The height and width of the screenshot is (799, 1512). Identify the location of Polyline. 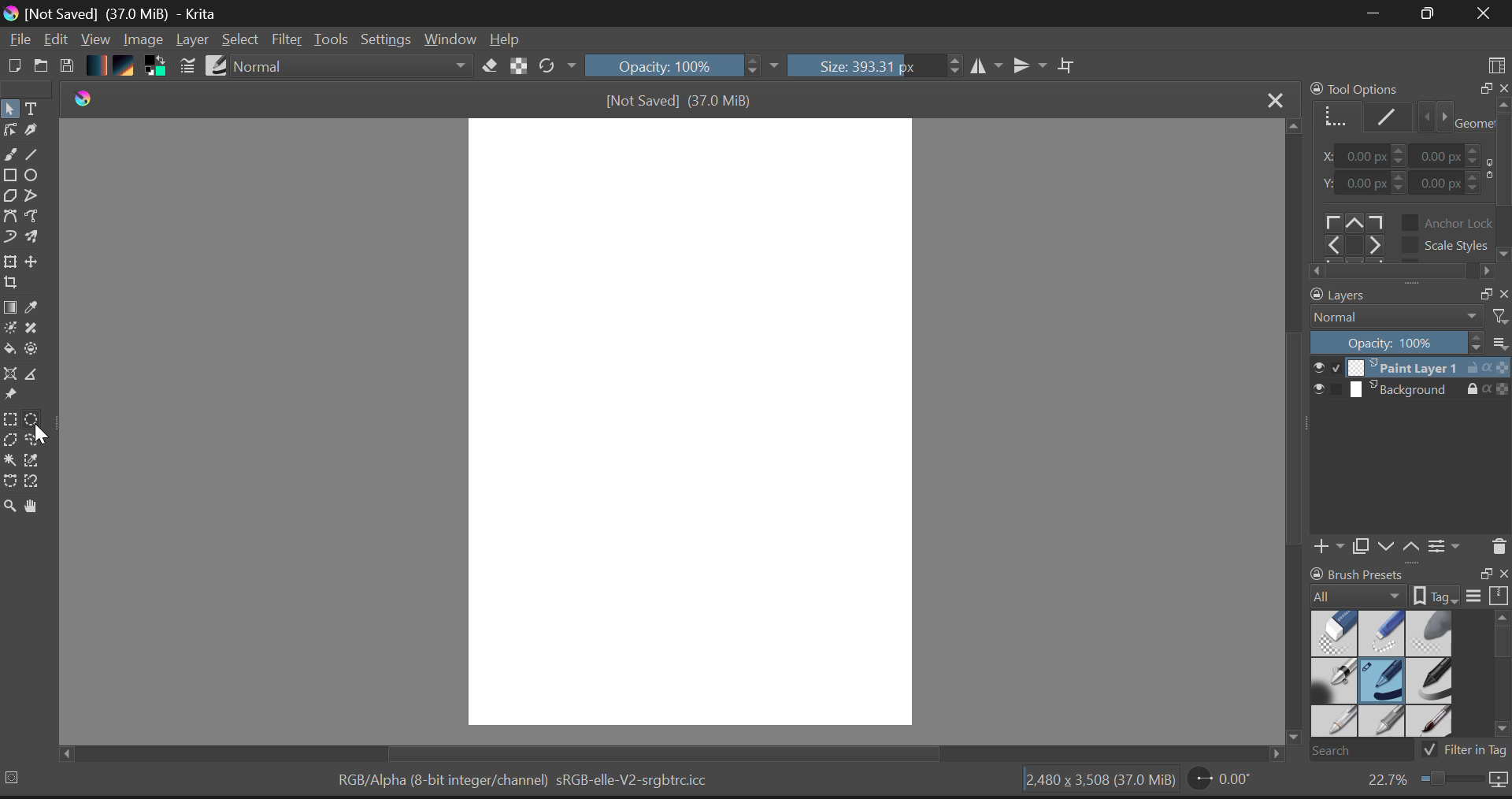
(35, 199).